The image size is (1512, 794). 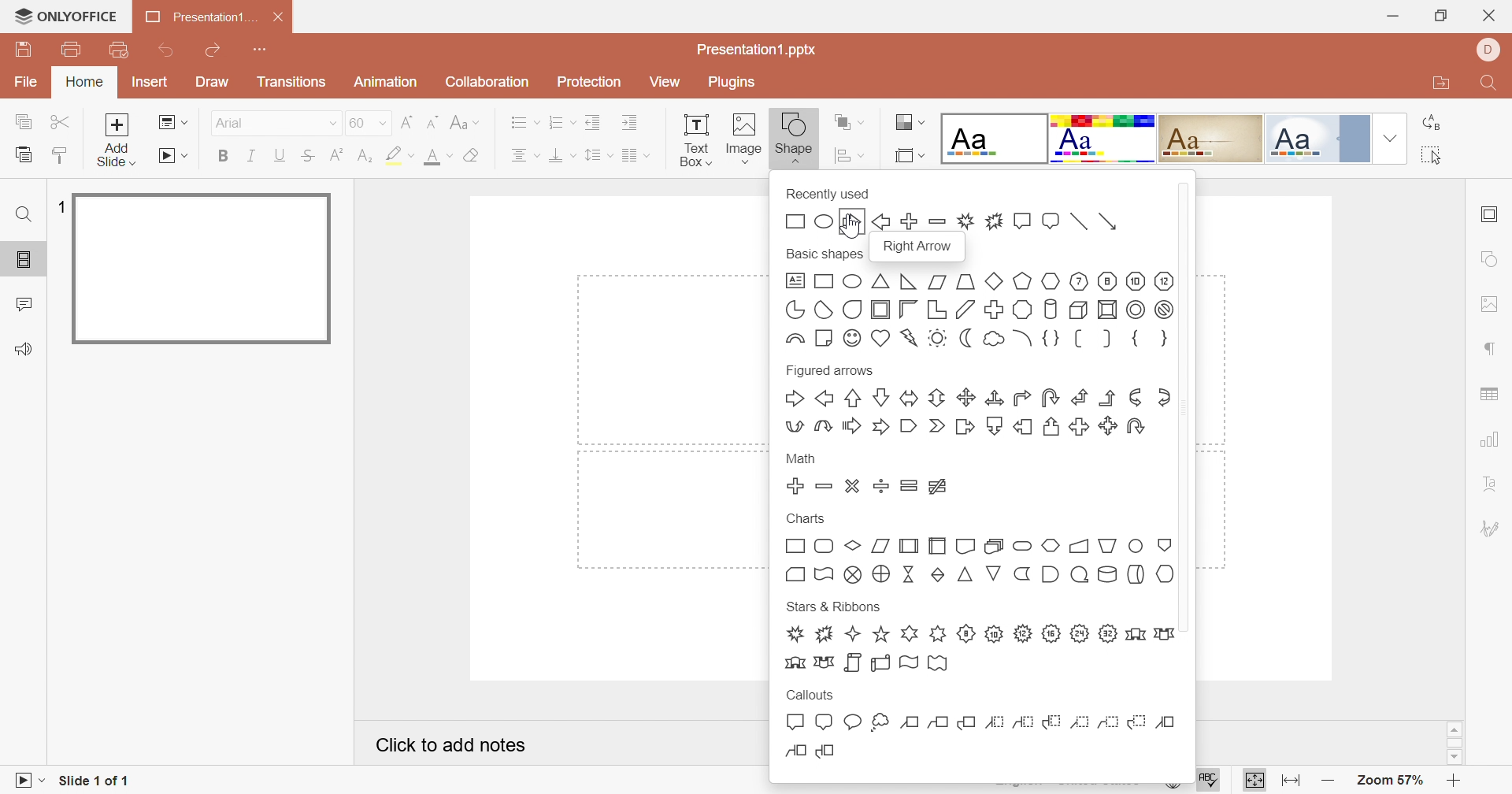 I want to click on Comments, so click(x=24, y=303).